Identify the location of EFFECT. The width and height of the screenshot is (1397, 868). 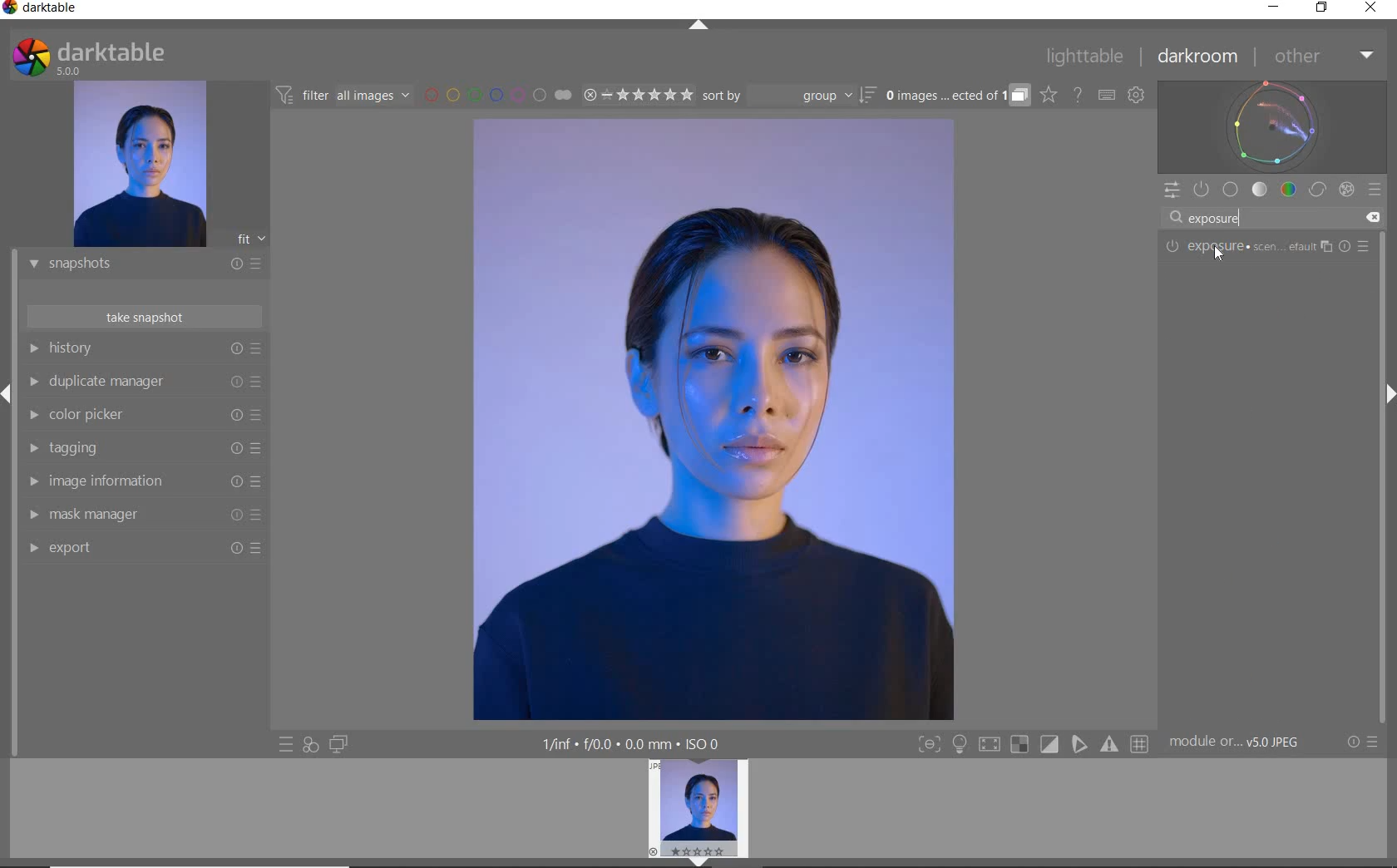
(1346, 189).